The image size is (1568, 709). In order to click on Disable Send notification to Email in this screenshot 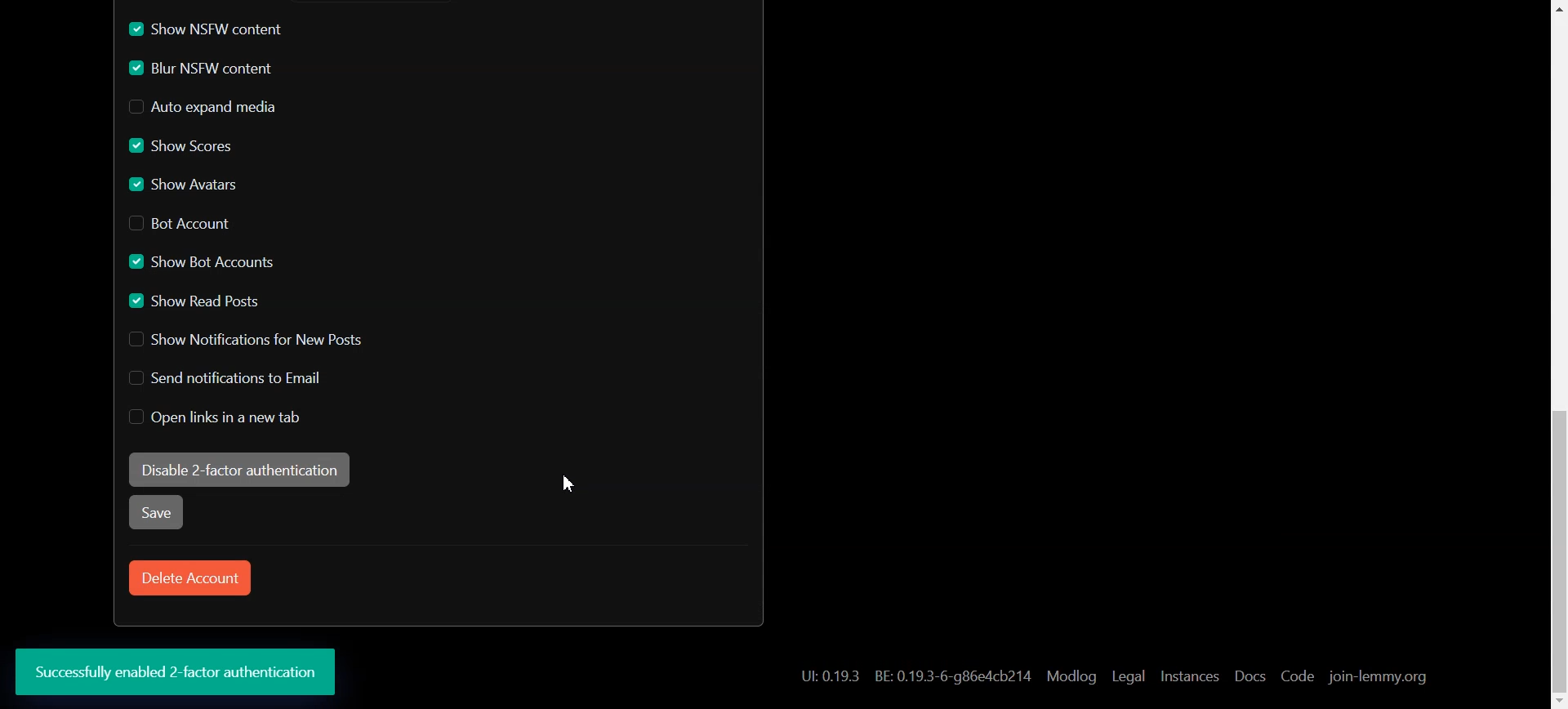, I will do `click(232, 377)`.